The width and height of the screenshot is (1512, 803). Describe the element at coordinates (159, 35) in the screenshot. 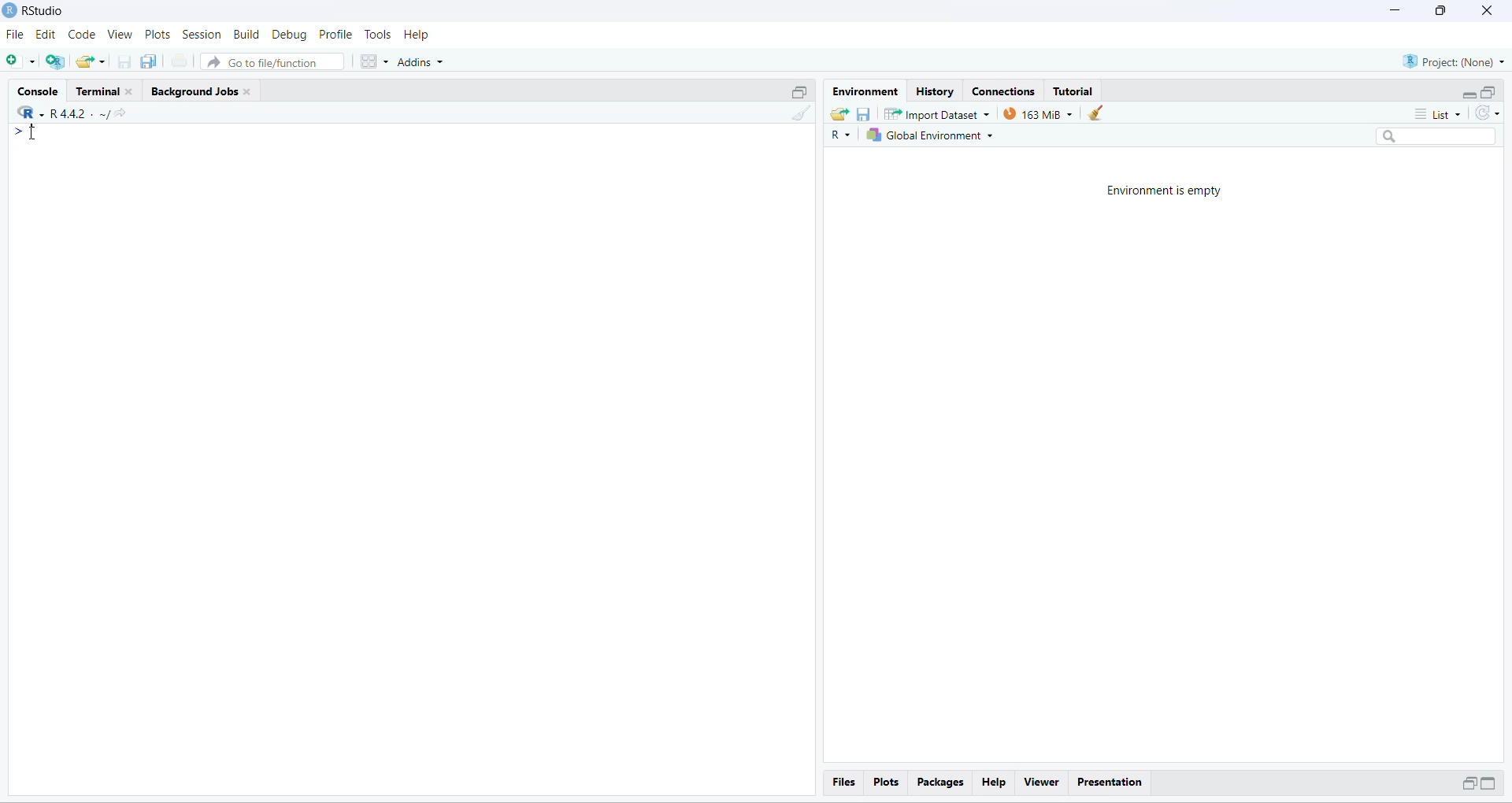

I see `Plots` at that location.